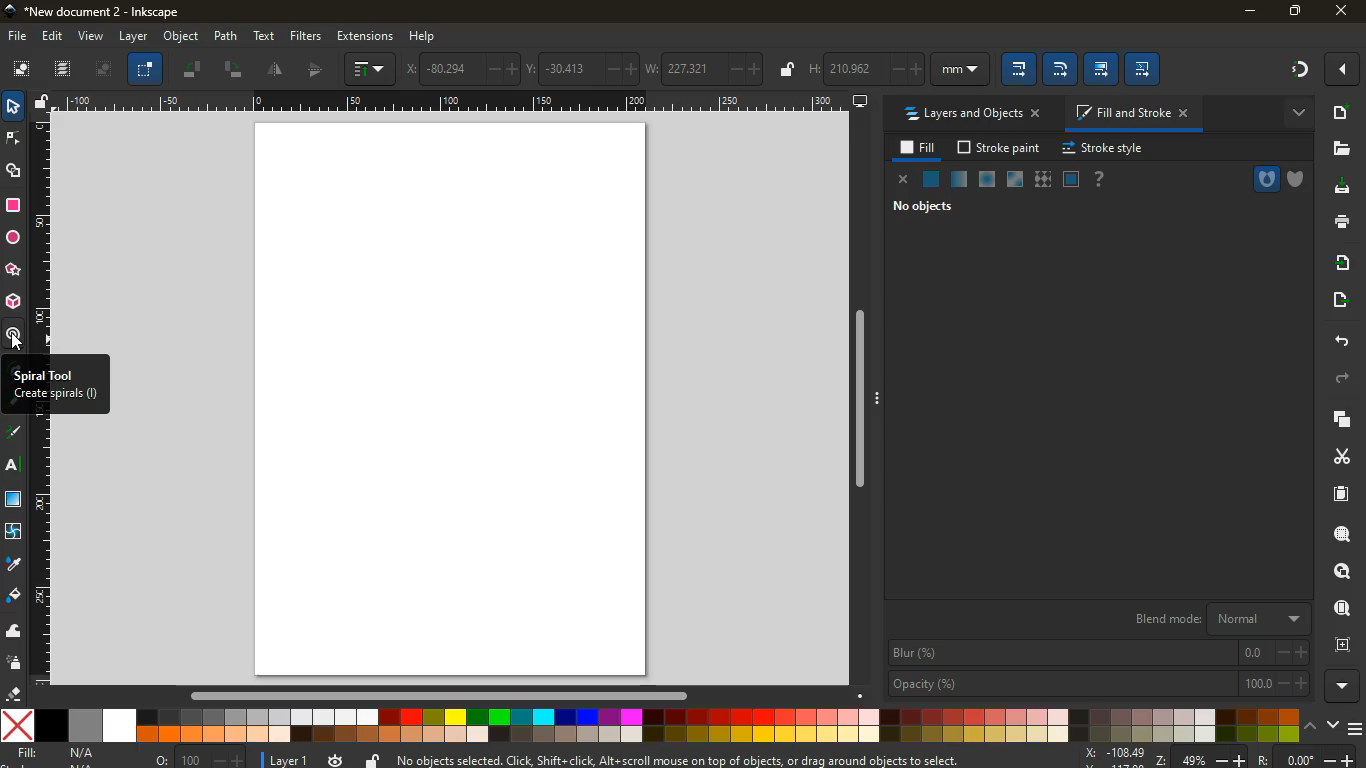 The width and height of the screenshot is (1366, 768). What do you see at coordinates (452, 102) in the screenshot?
I see `` at bounding box center [452, 102].